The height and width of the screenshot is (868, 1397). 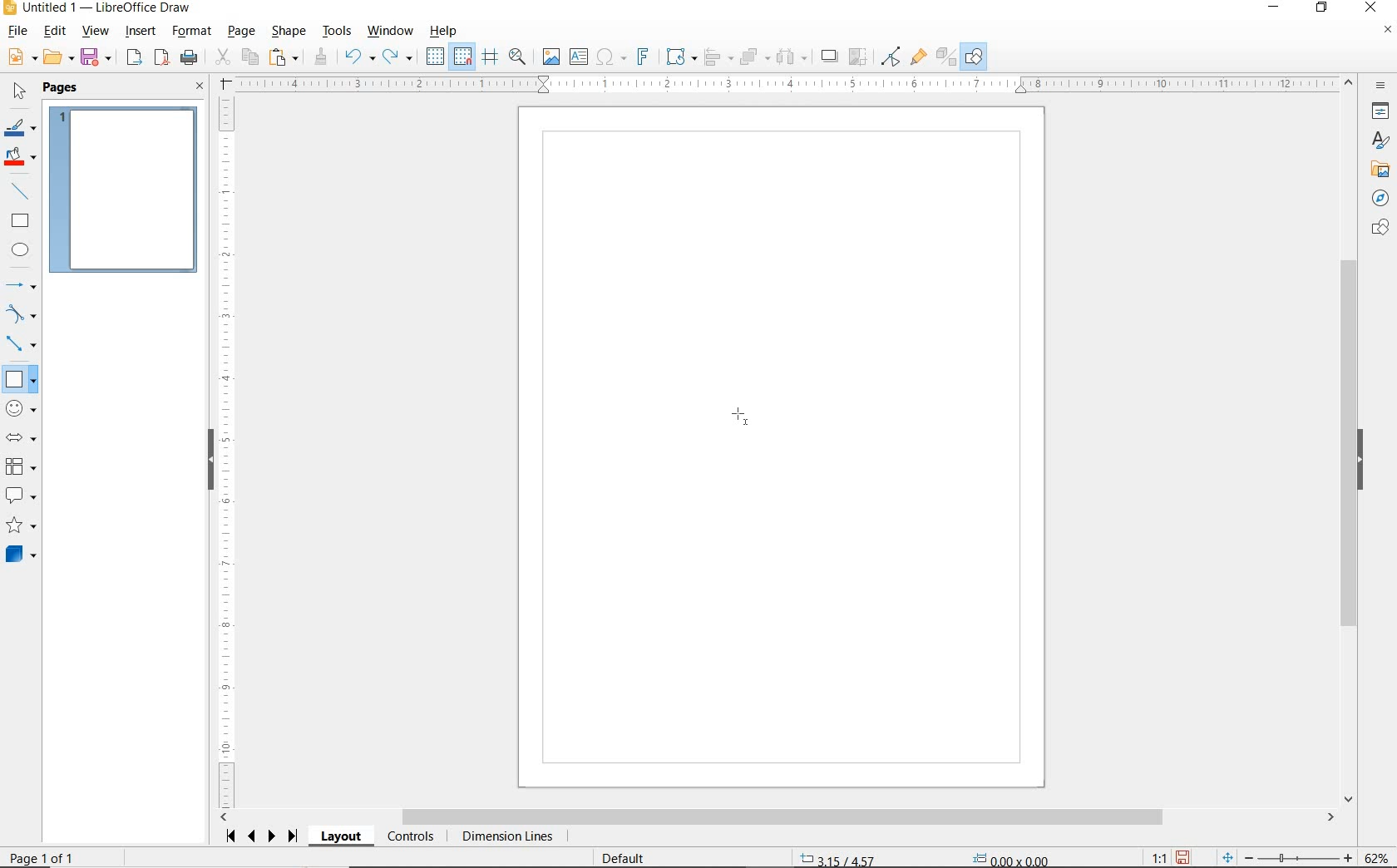 I want to click on ARRANGE, so click(x=755, y=56).